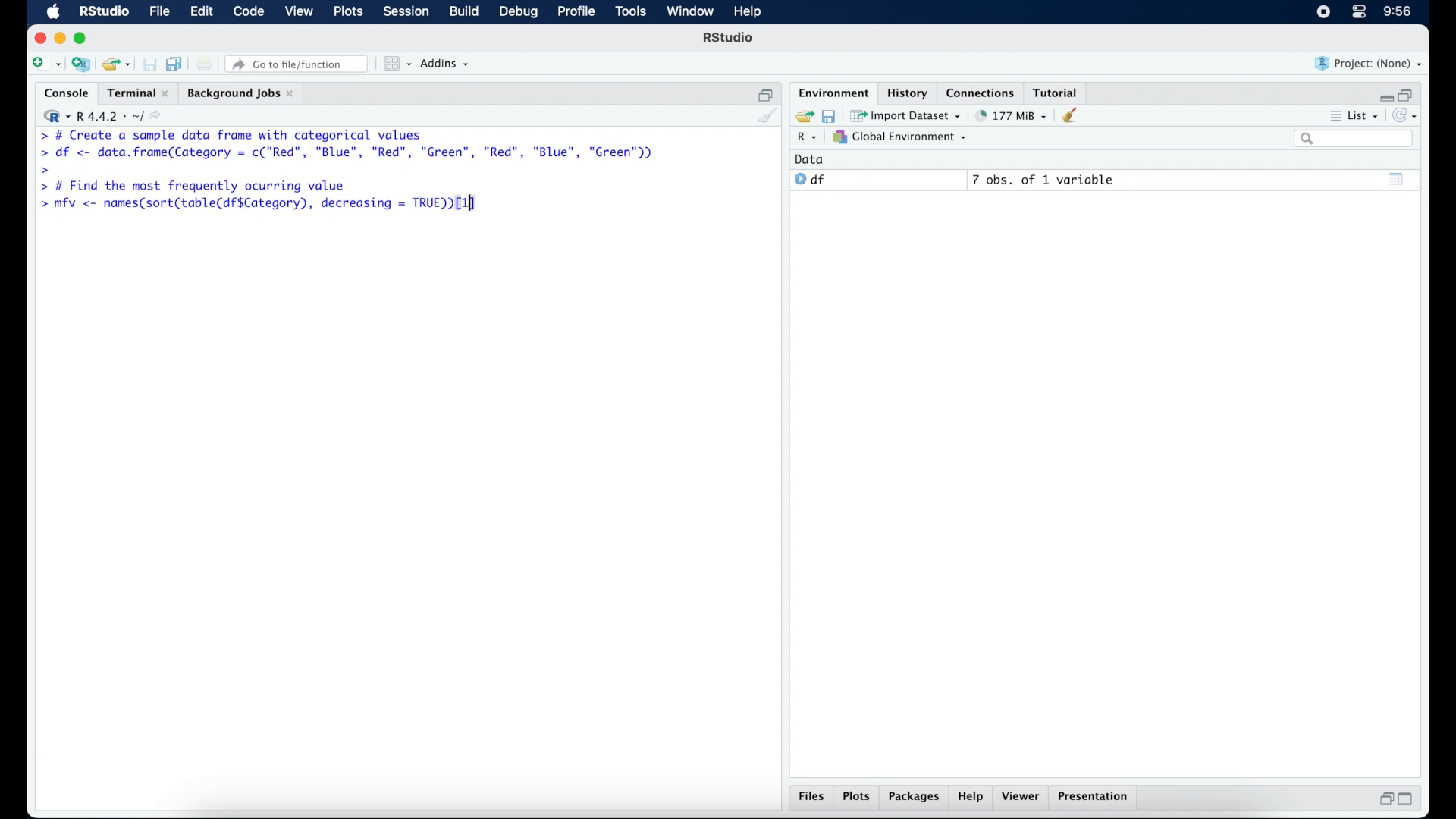  I want to click on environment, so click(833, 92).